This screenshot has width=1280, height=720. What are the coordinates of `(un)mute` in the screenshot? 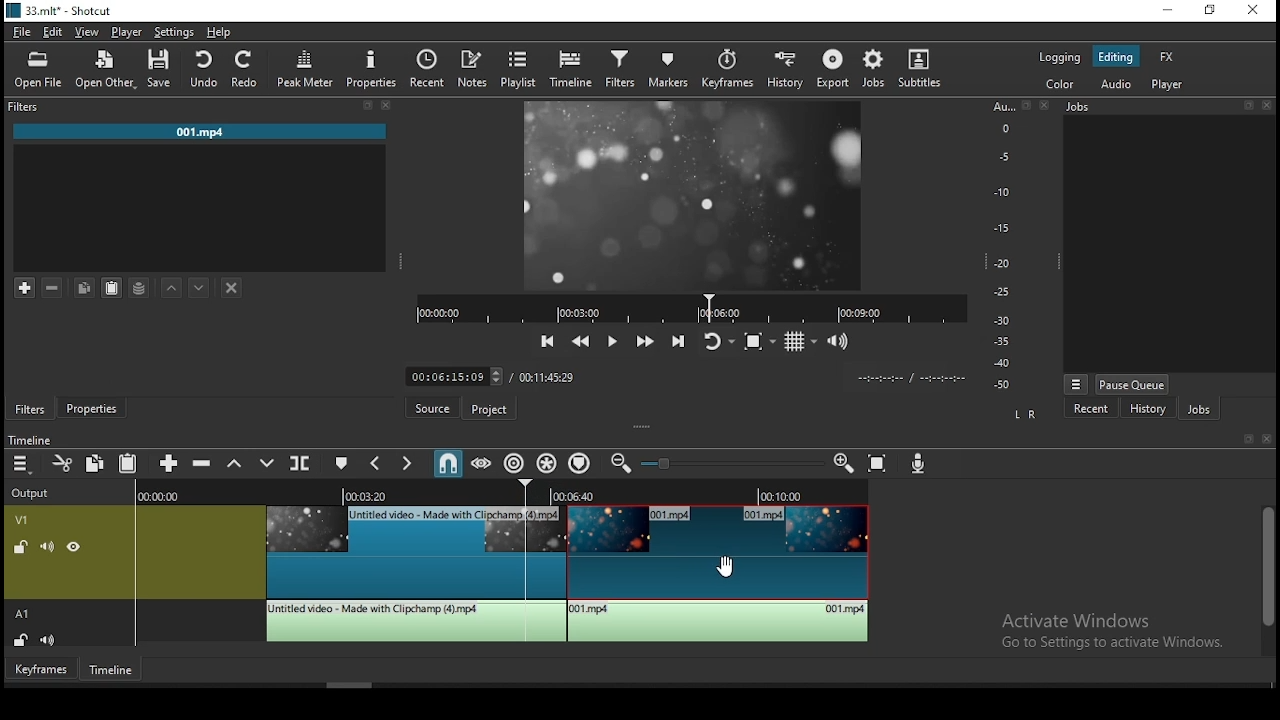 It's located at (52, 640).